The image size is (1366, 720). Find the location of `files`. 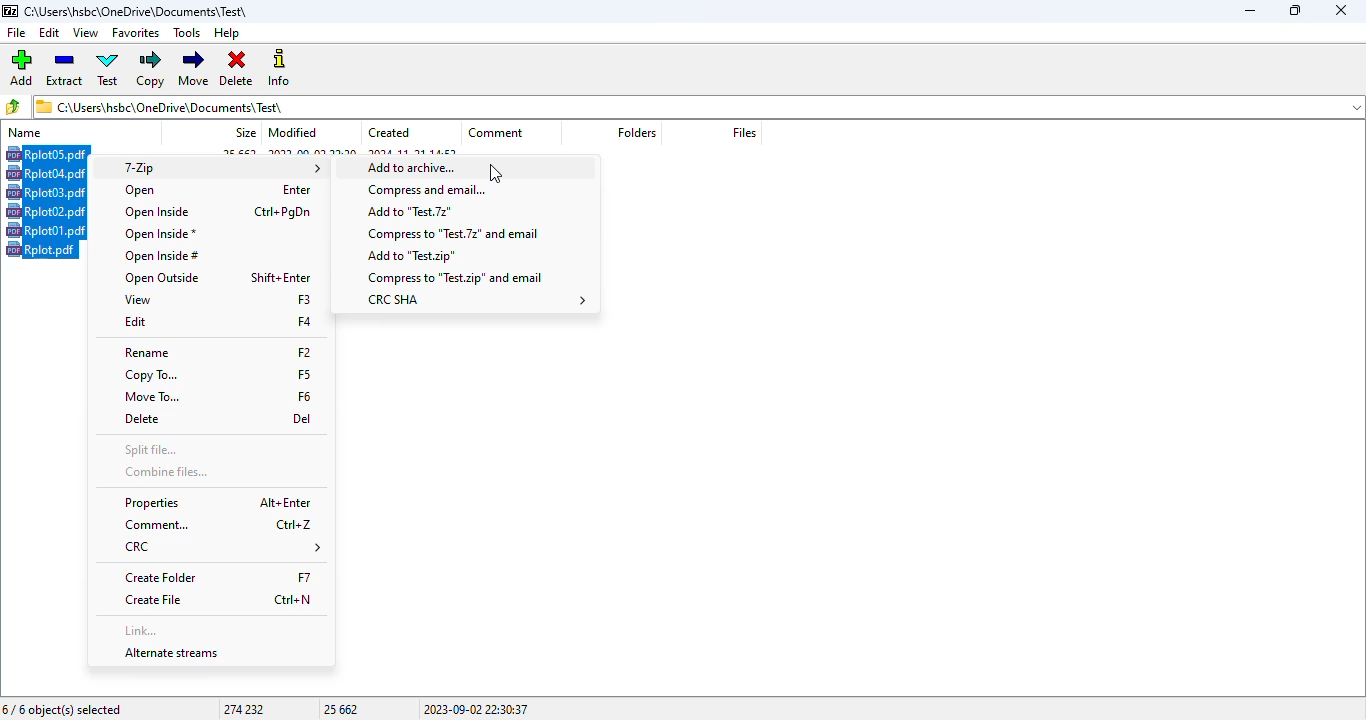

files is located at coordinates (744, 132).